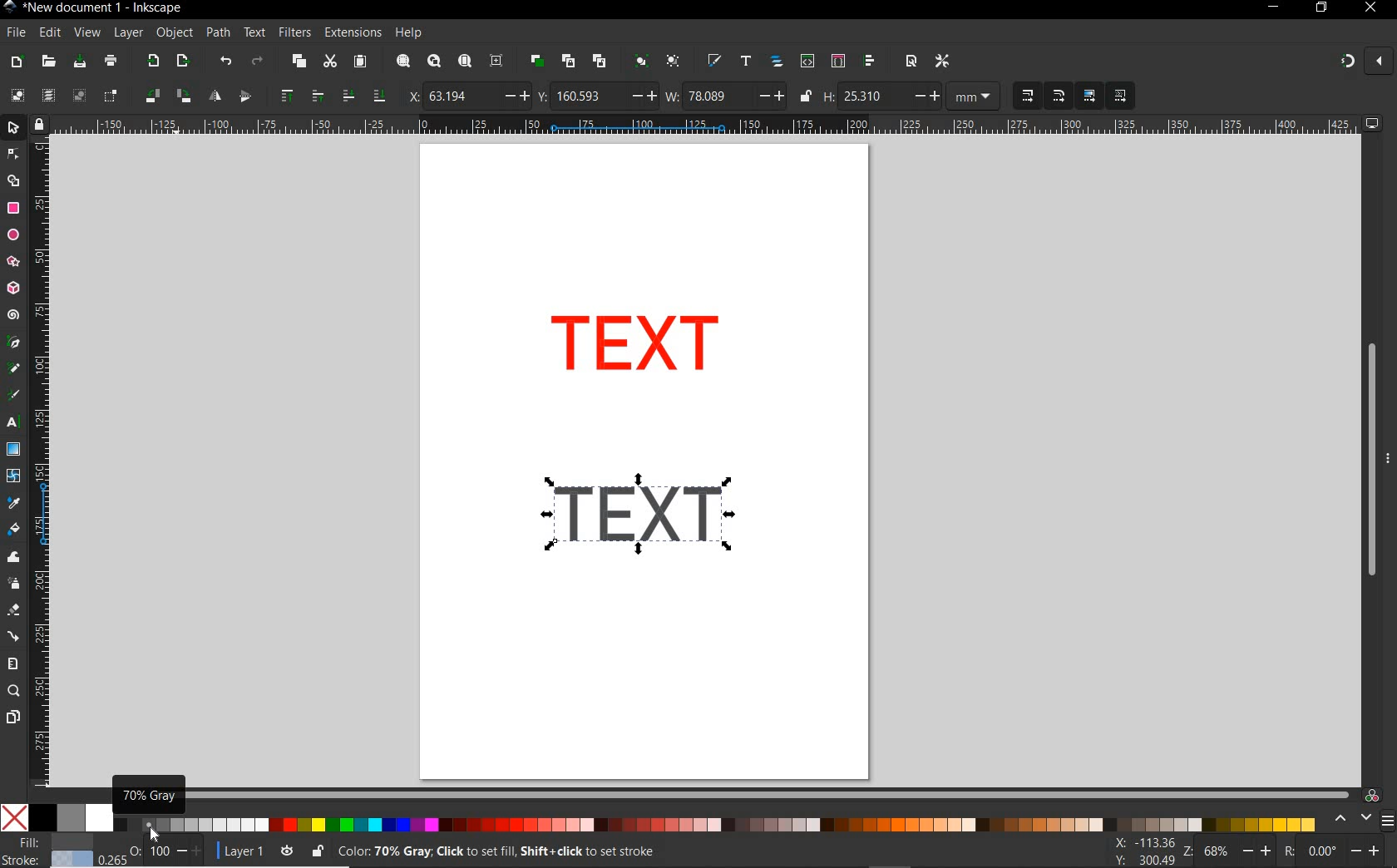 The height and width of the screenshot is (868, 1397). What do you see at coordinates (1372, 795) in the screenshot?
I see `color managed code` at bounding box center [1372, 795].